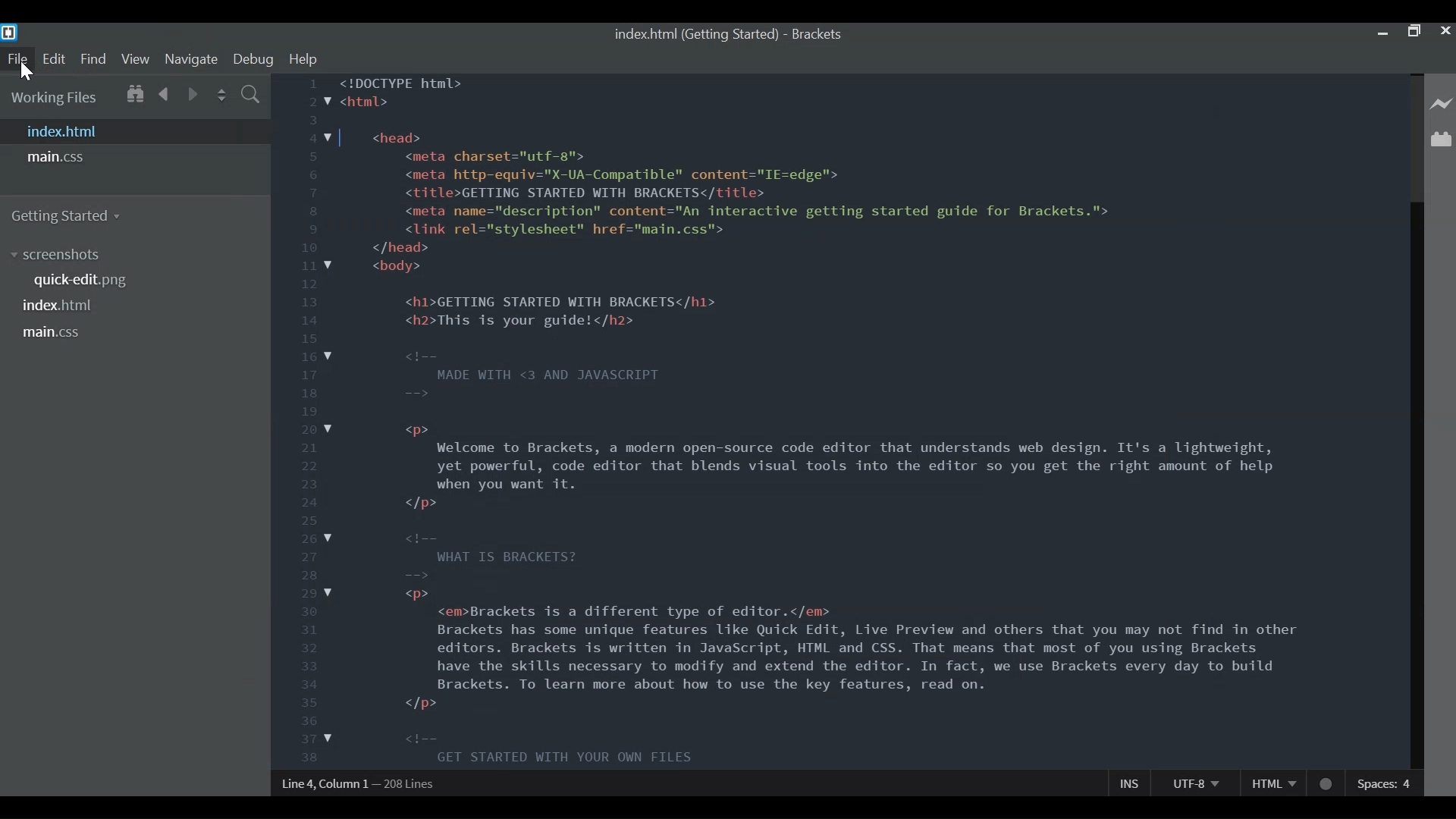  What do you see at coordinates (1328, 781) in the screenshot?
I see `No linter available for HTML` at bounding box center [1328, 781].